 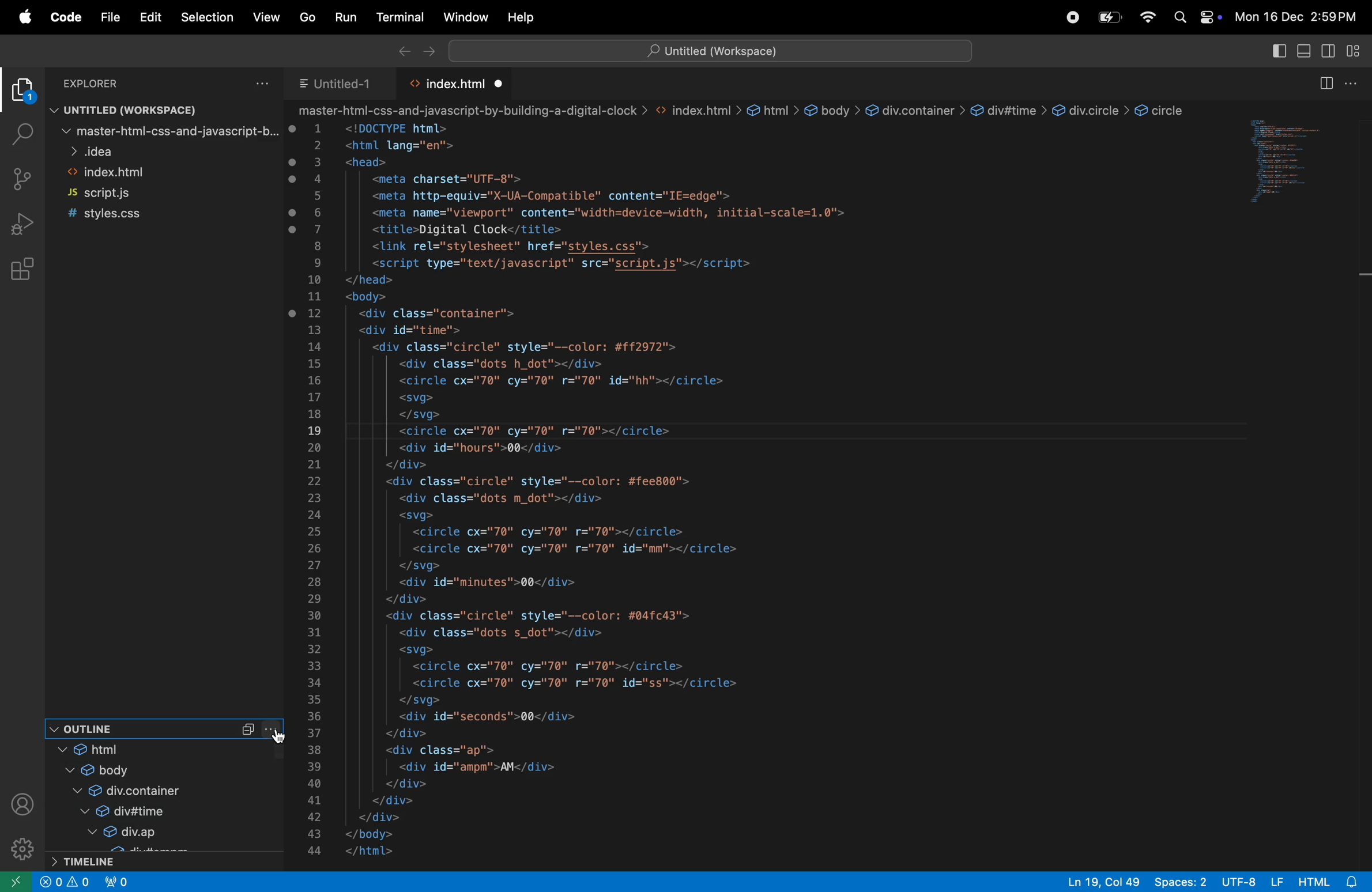 I want to click on edit, so click(x=150, y=17).